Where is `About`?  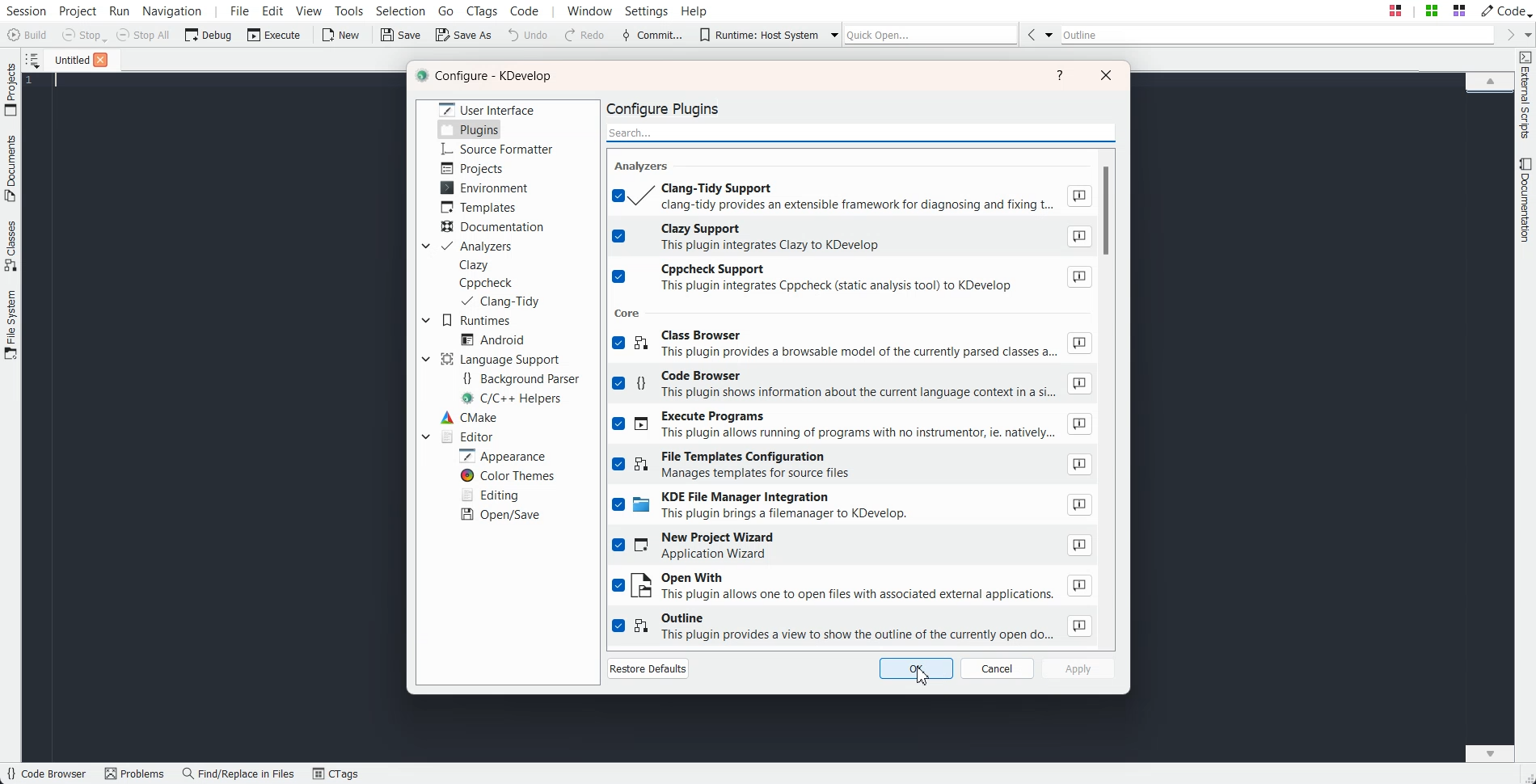 About is located at coordinates (1078, 585).